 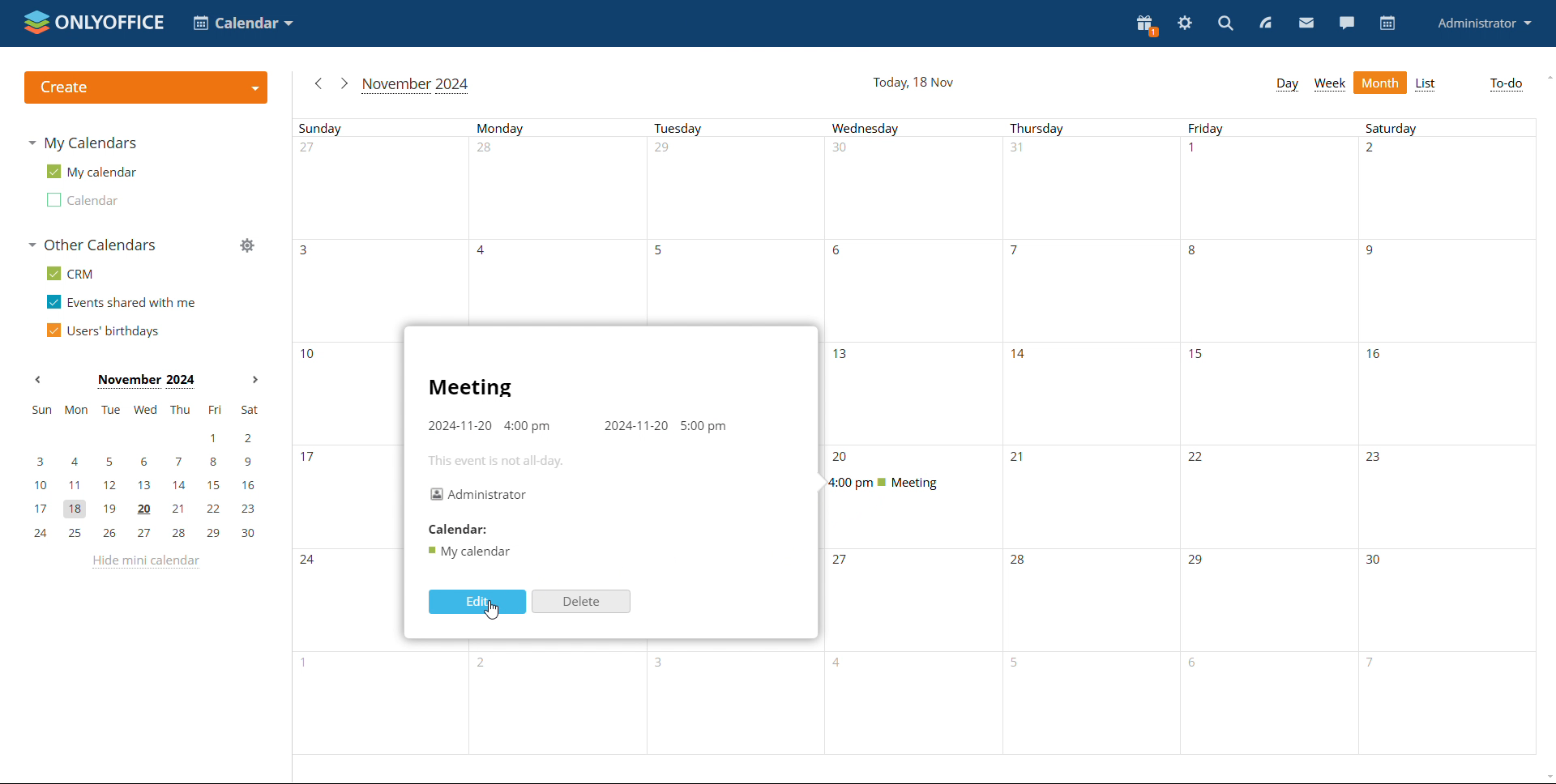 What do you see at coordinates (498, 459) in the screenshot?
I see `This event is not all-day` at bounding box center [498, 459].